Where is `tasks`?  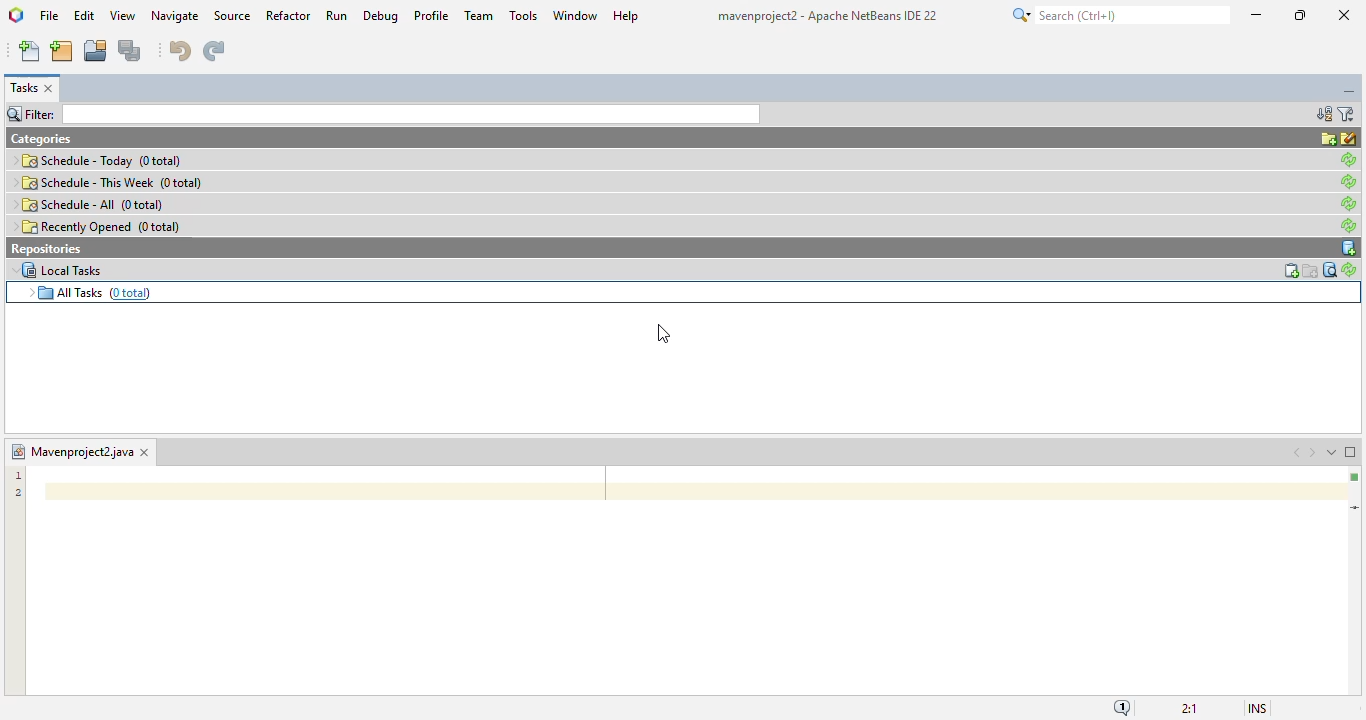 tasks is located at coordinates (23, 88).